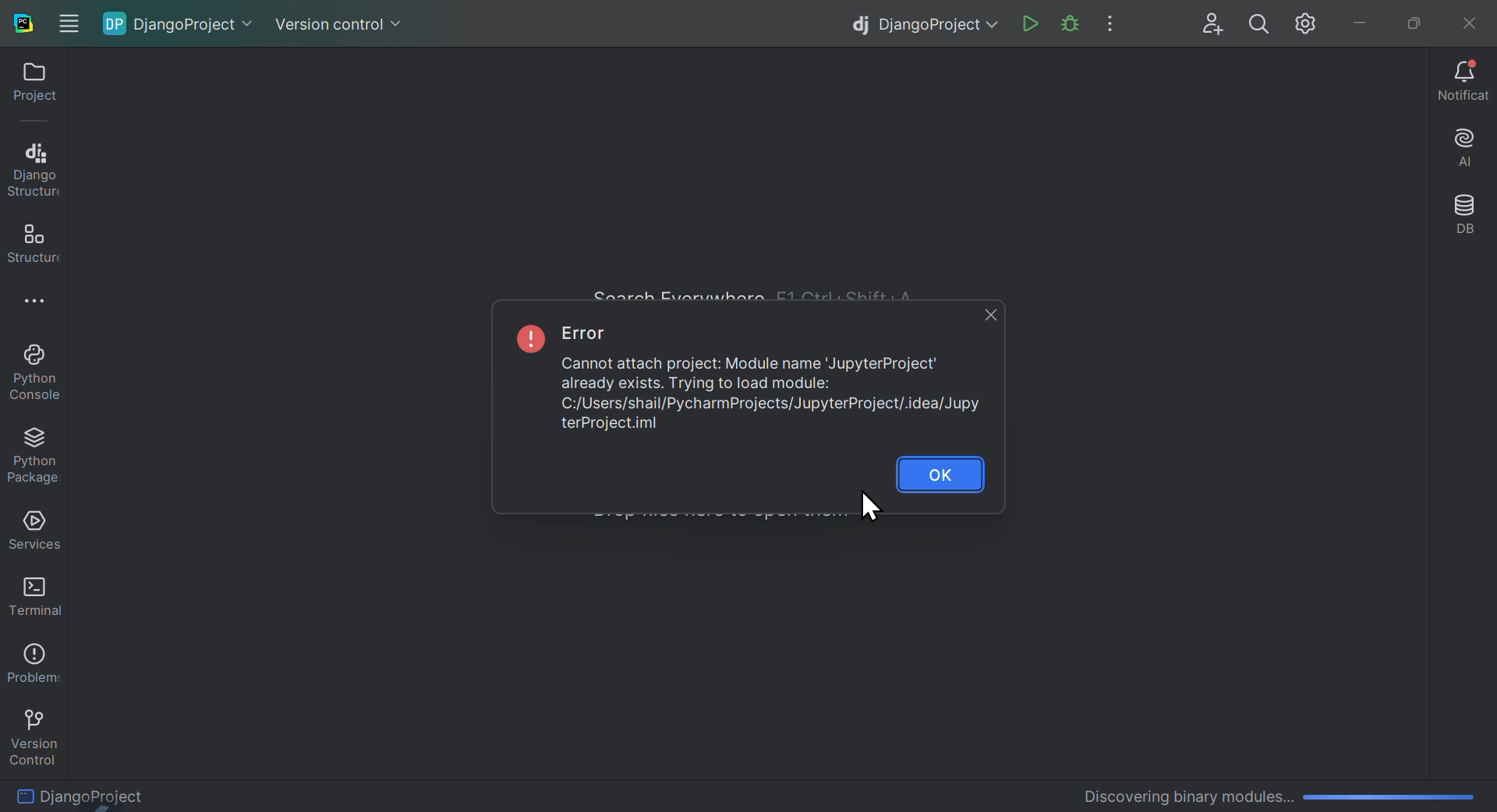 The image size is (1497, 812). Describe the element at coordinates (1260, 24) in the screenshot. I see `search` at that location.